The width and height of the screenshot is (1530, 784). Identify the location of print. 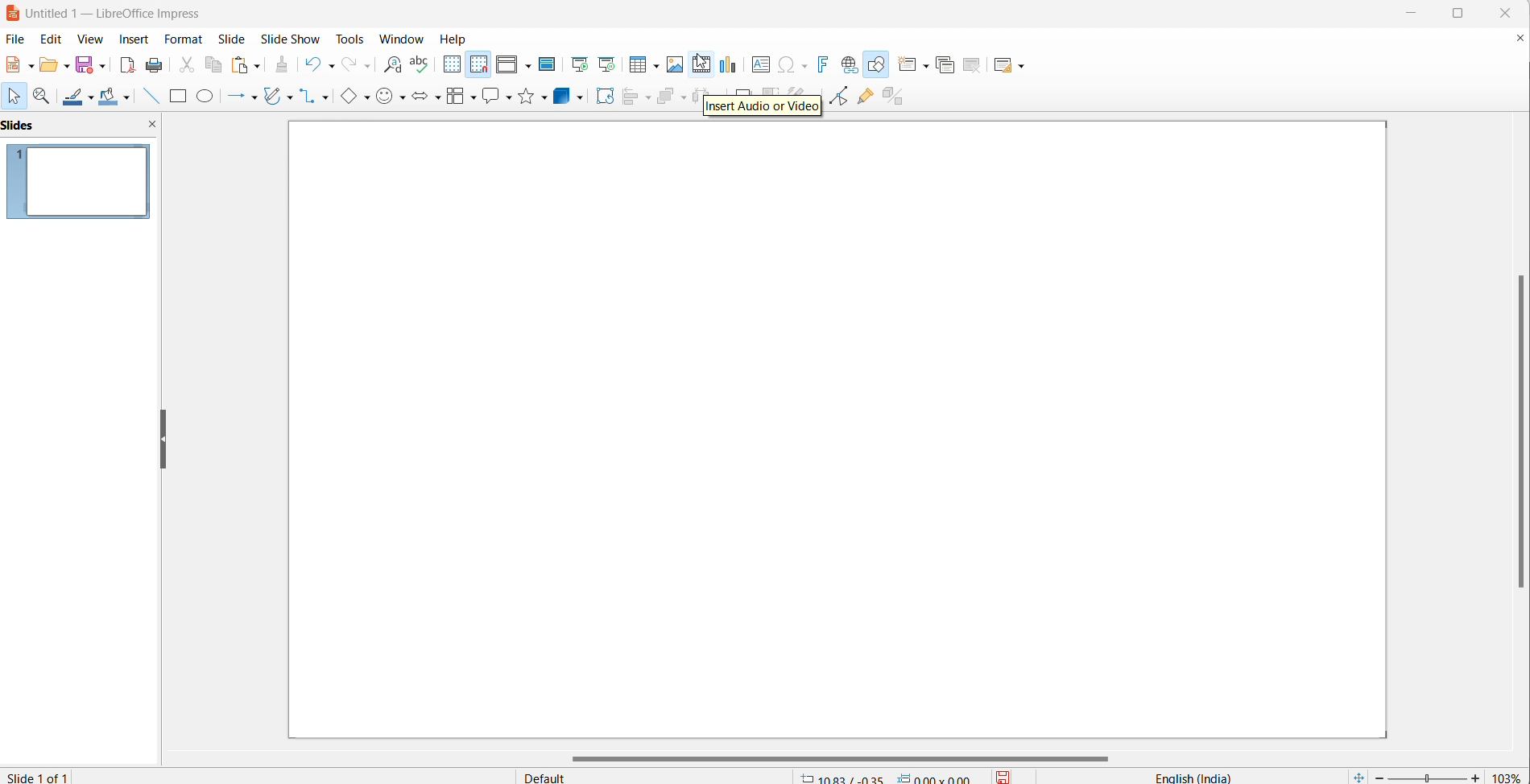
(152, 65).